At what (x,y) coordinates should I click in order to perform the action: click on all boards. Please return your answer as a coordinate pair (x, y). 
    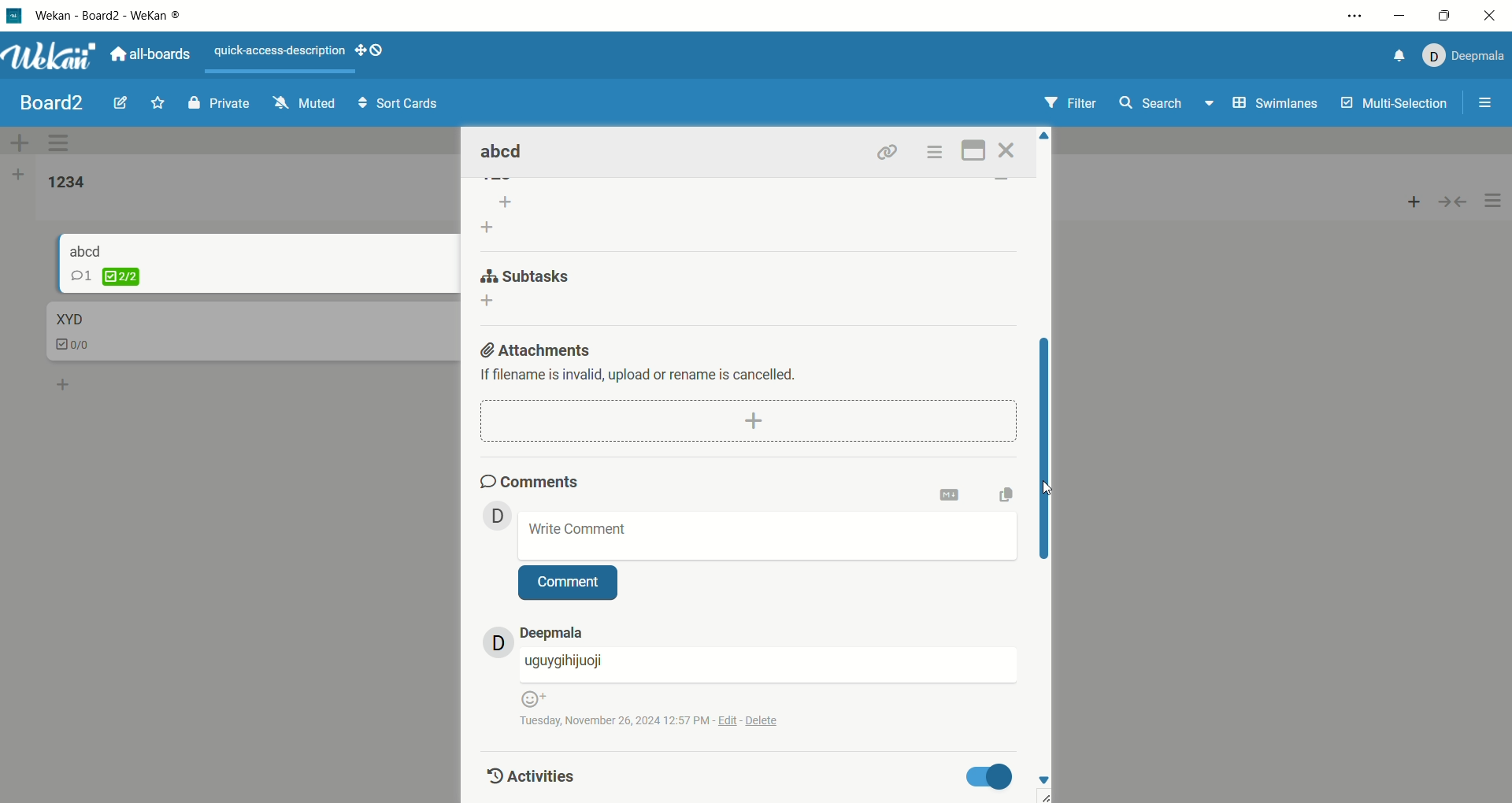
    Looking at the image, I should click on (150, 53).